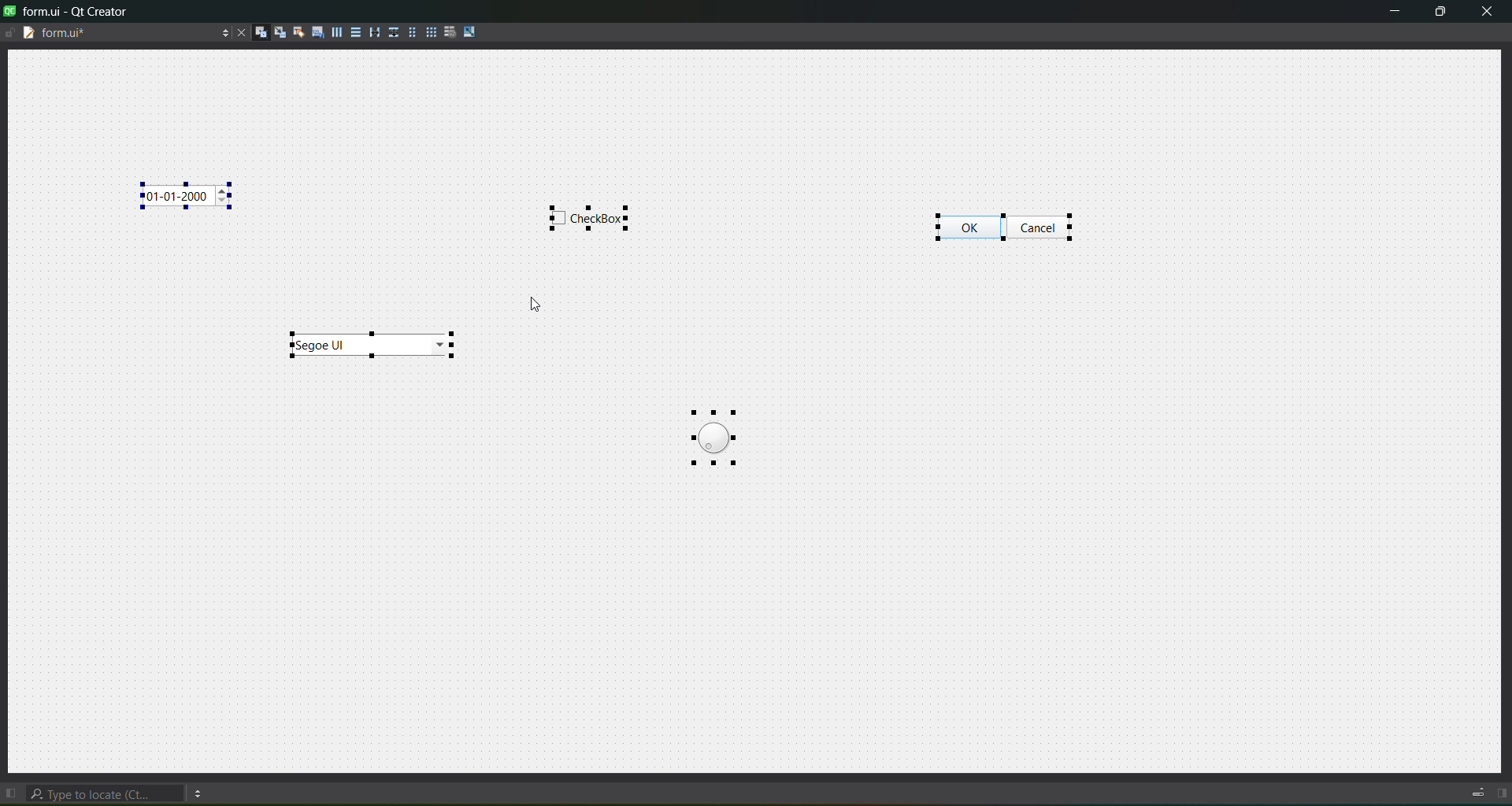  I want to click on Layout Horizontally, so click(335, 31).